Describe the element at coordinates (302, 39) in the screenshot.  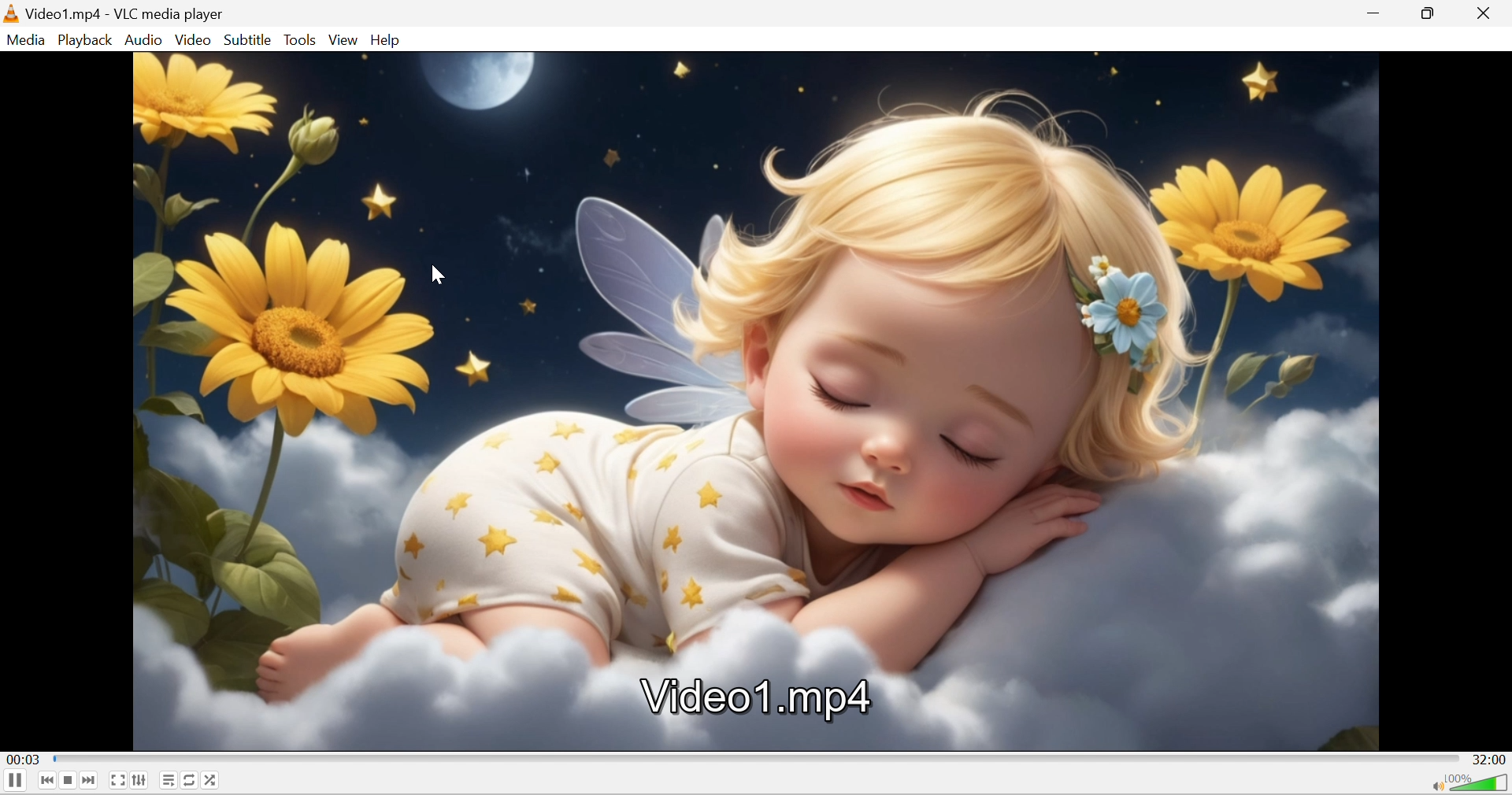
I see `Tools` at that location.